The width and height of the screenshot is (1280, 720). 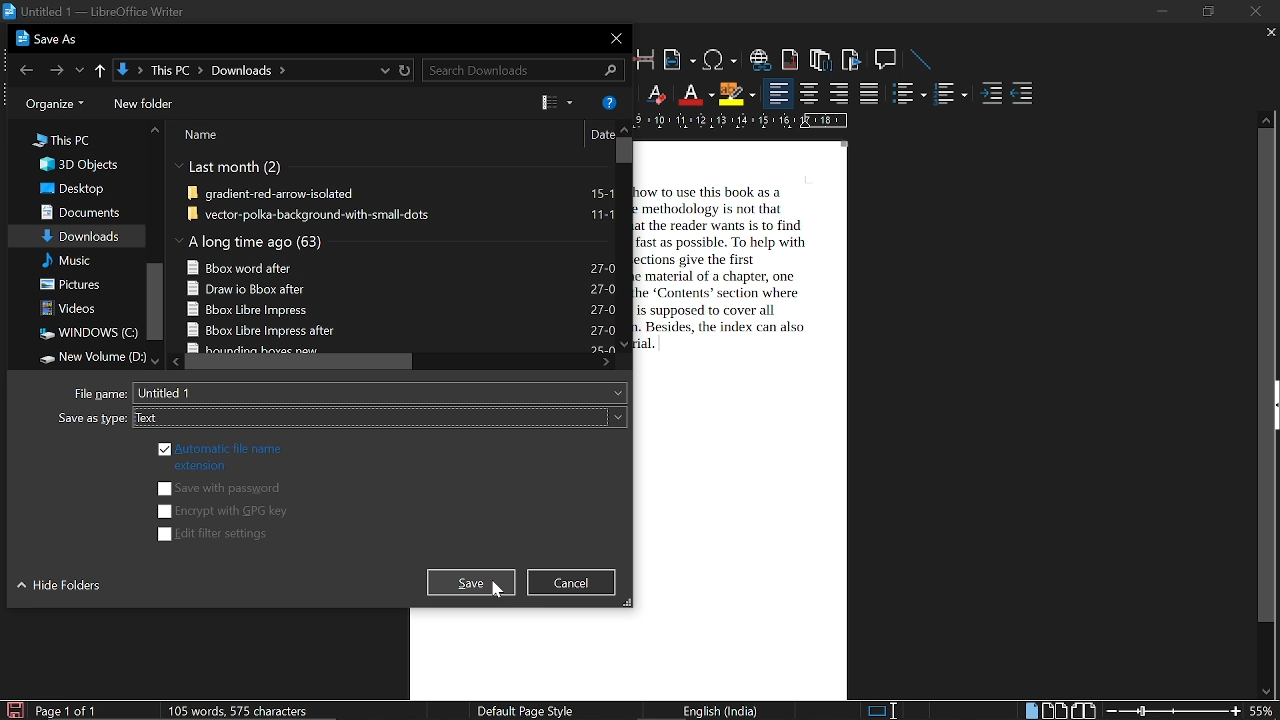 What do you see at coordinates (742, 120) in the screenshot?
I see `scale` at bounding box center [742, 120].